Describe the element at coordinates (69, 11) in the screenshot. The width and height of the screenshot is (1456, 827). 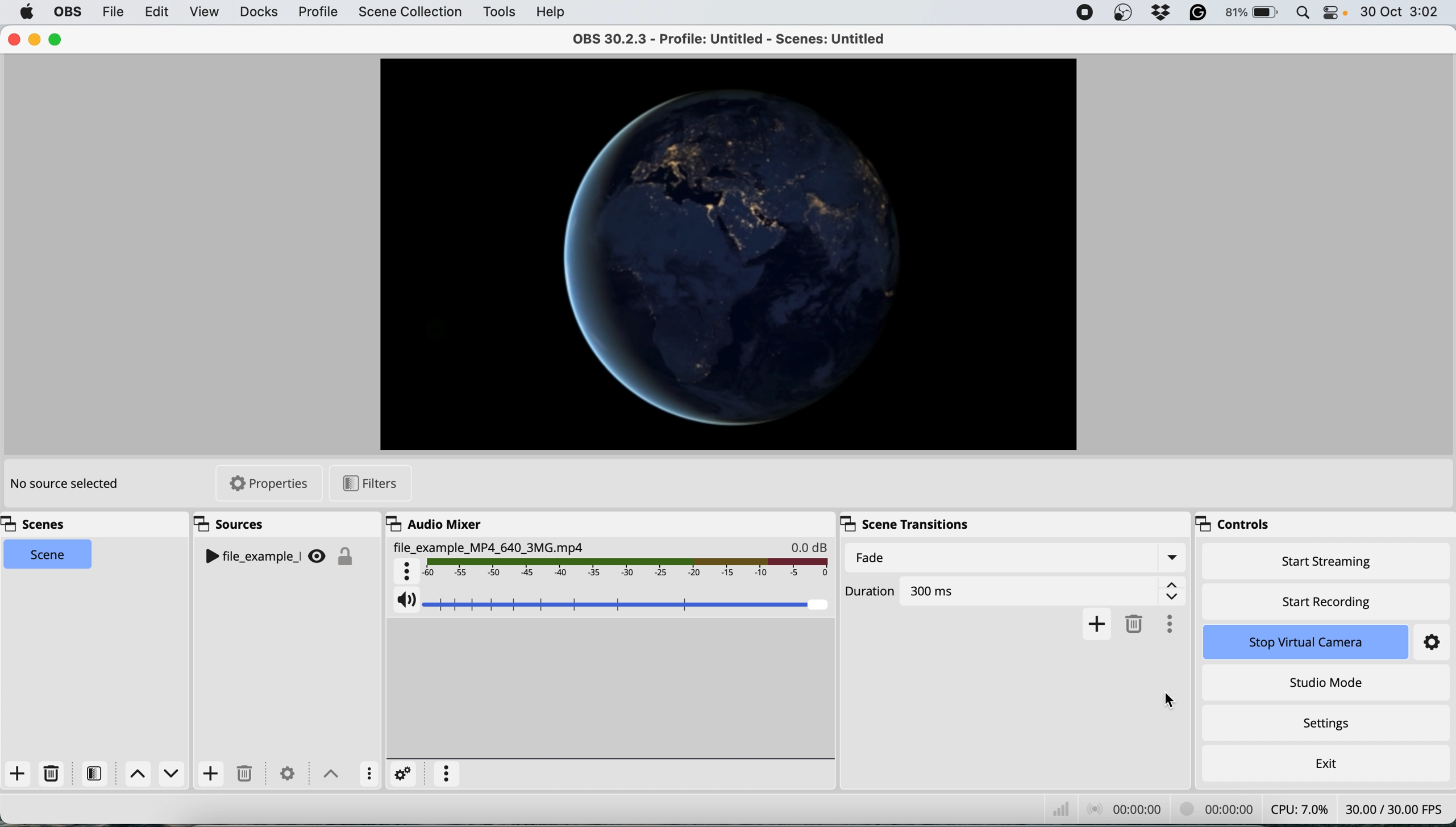
I see `obs` at that location.